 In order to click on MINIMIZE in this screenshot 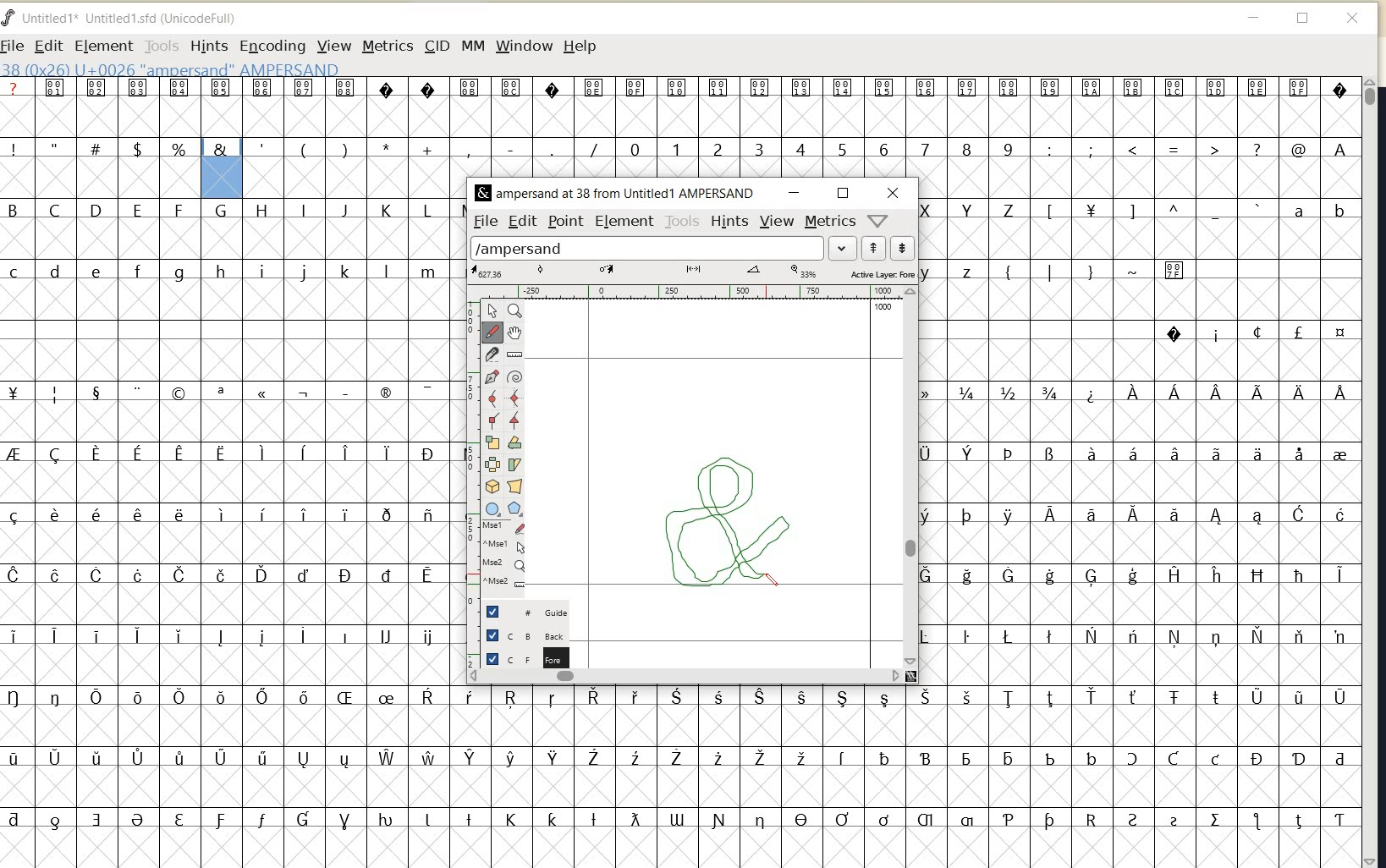, I will do `click(798, 192)`.